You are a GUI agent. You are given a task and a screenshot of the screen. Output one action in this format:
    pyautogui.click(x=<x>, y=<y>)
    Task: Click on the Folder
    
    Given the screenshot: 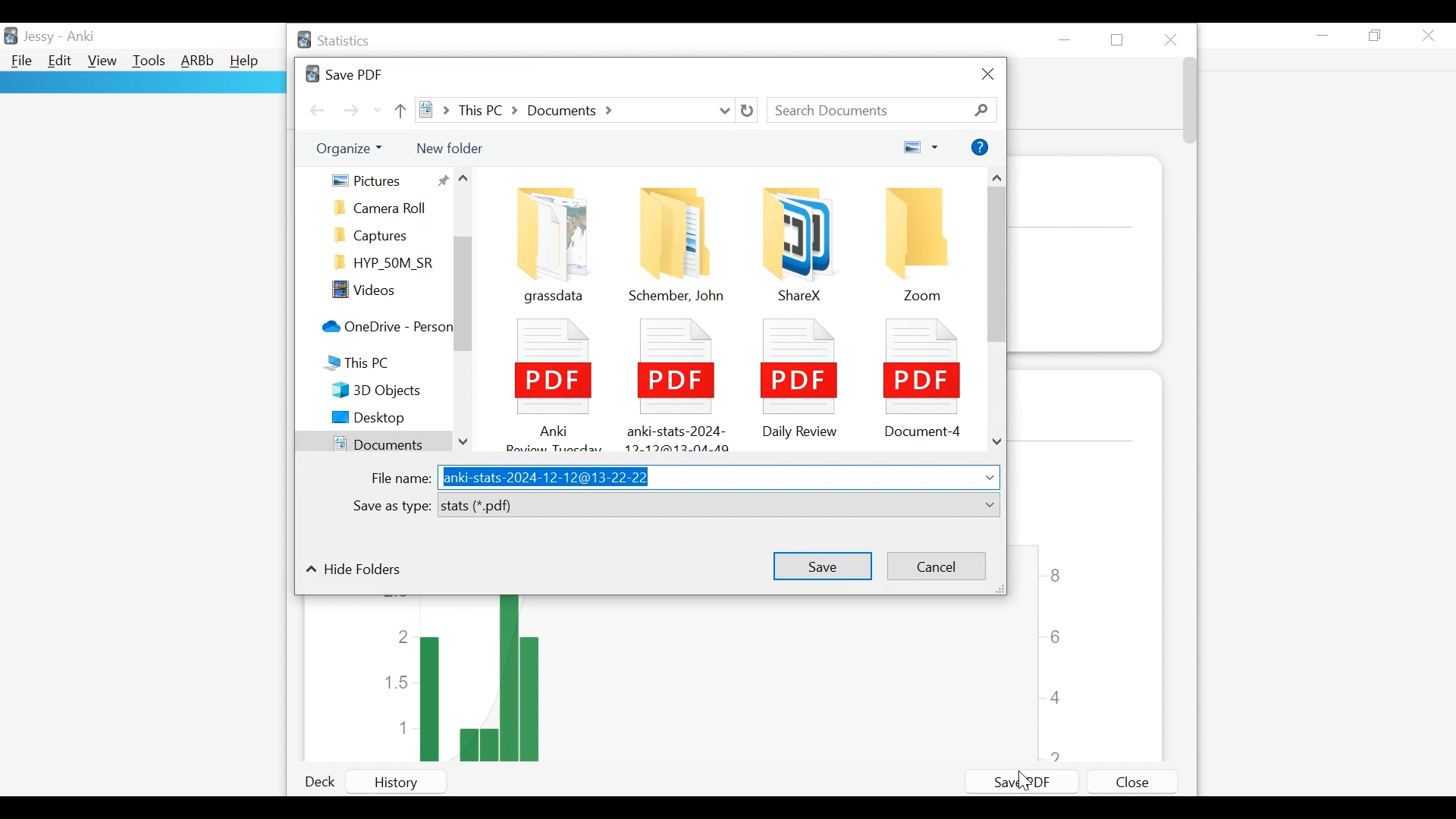 What is the action you would take?
    pyautogui.click(x=548, y=239)
    